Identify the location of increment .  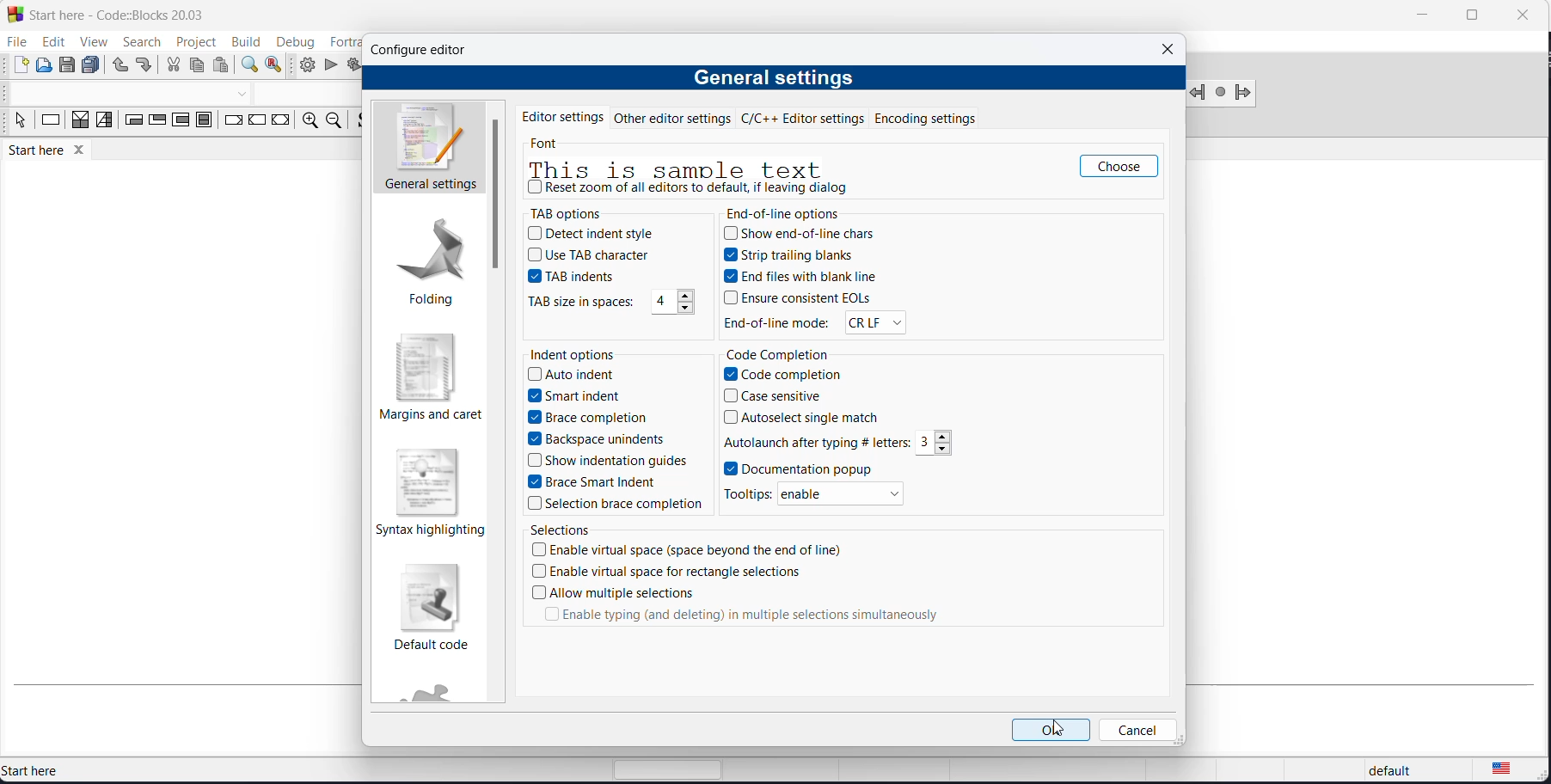
(946, 436).